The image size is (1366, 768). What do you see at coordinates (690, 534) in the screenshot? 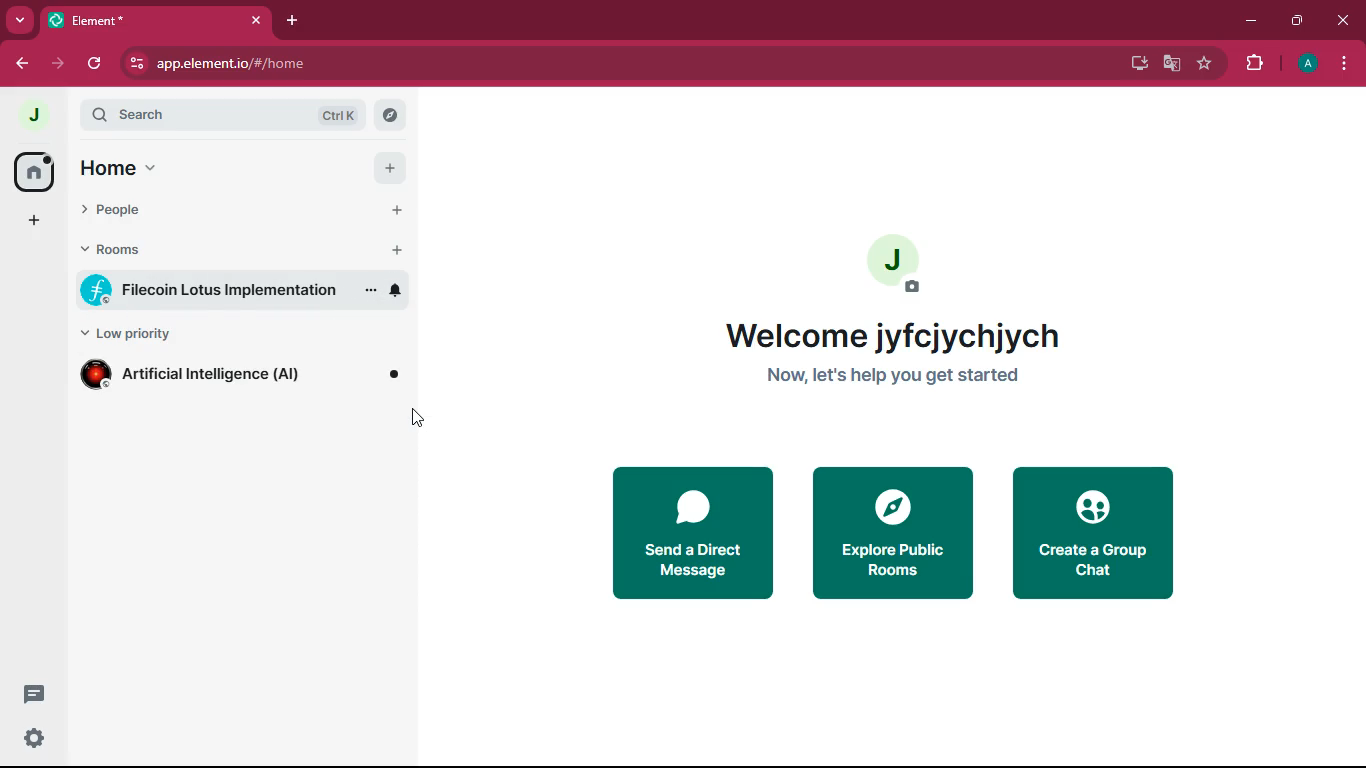
I see `send direct message` at bounding box center [690, 534].